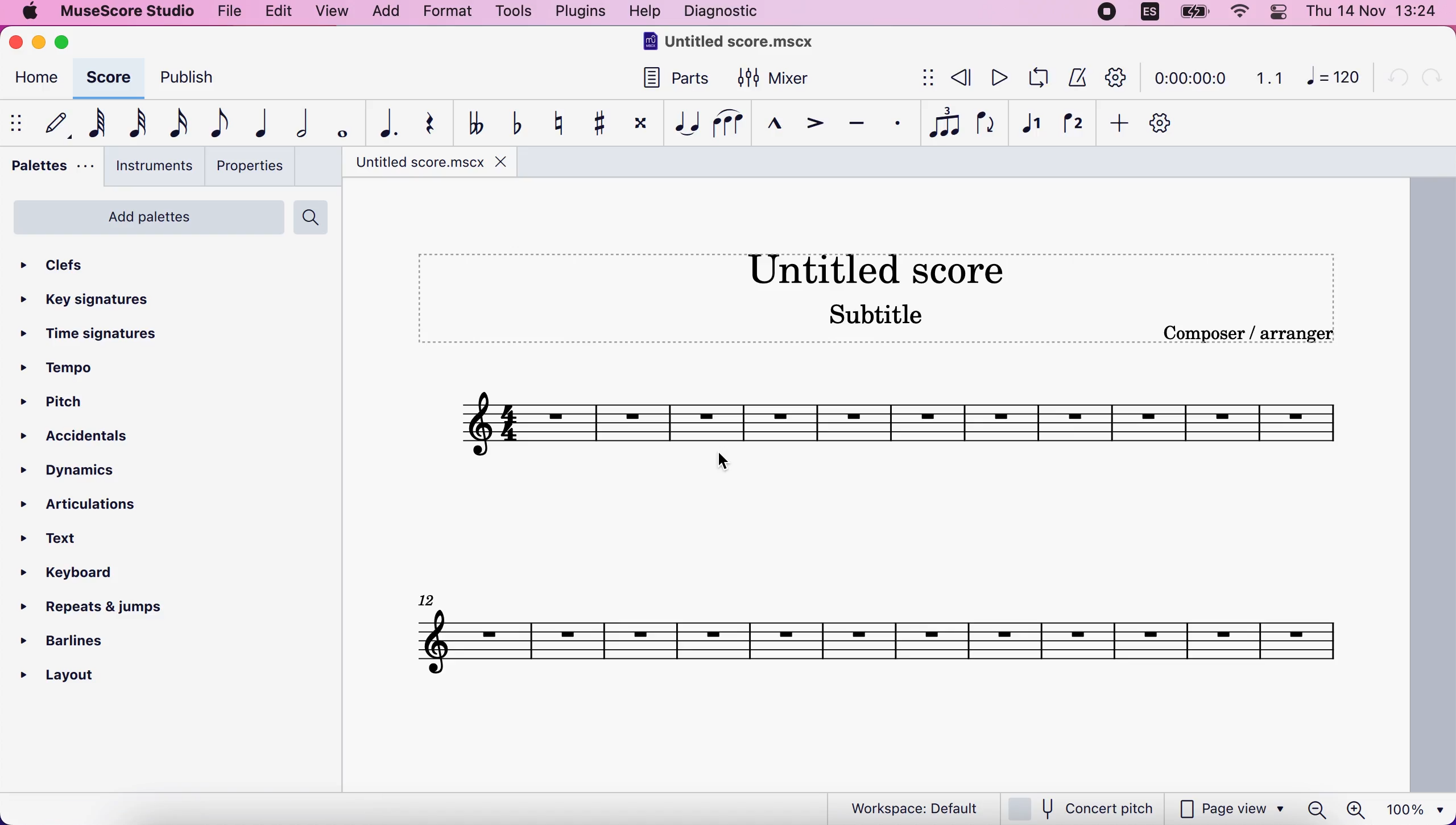 This screenshot has width=1456, height=825. Describe the element at coordinates (583, 11) in the screenshot. I see `plugins` at that location.